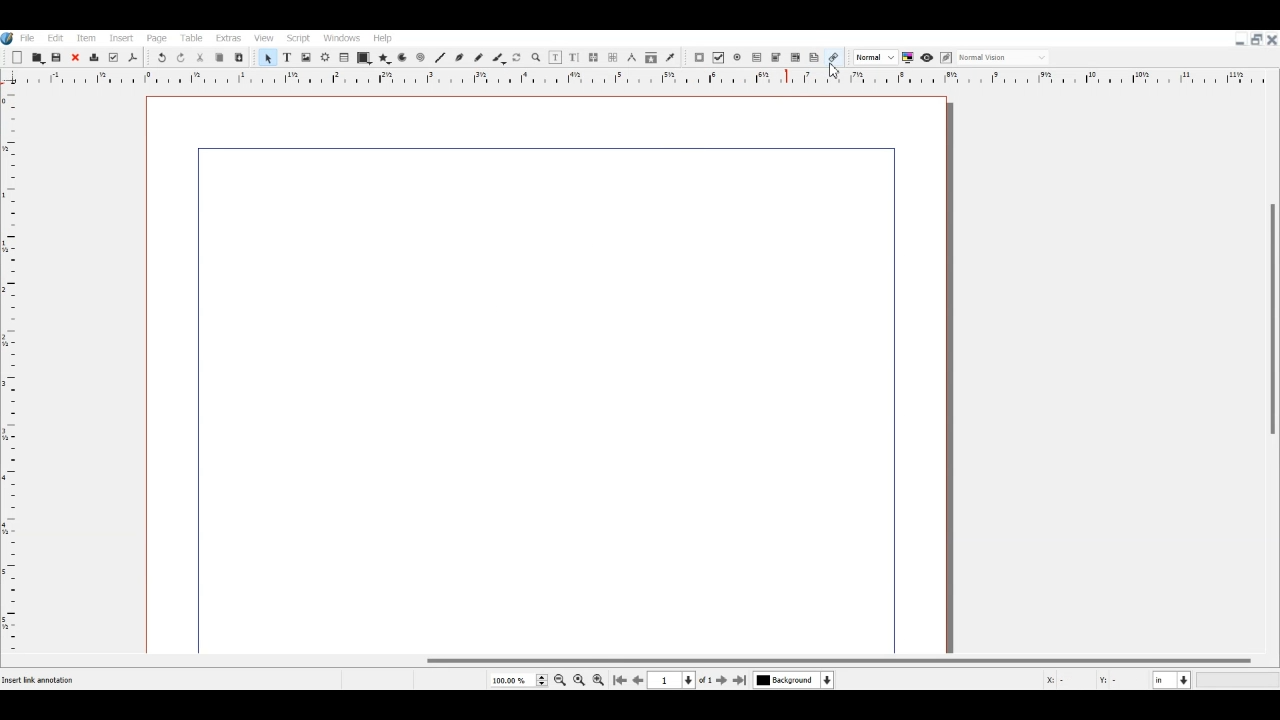 The width and height of the screenshot is (1280, 720). Describe the element at coordinates (459, 57) in the screenshot. I see `Bezier curve` at that location.